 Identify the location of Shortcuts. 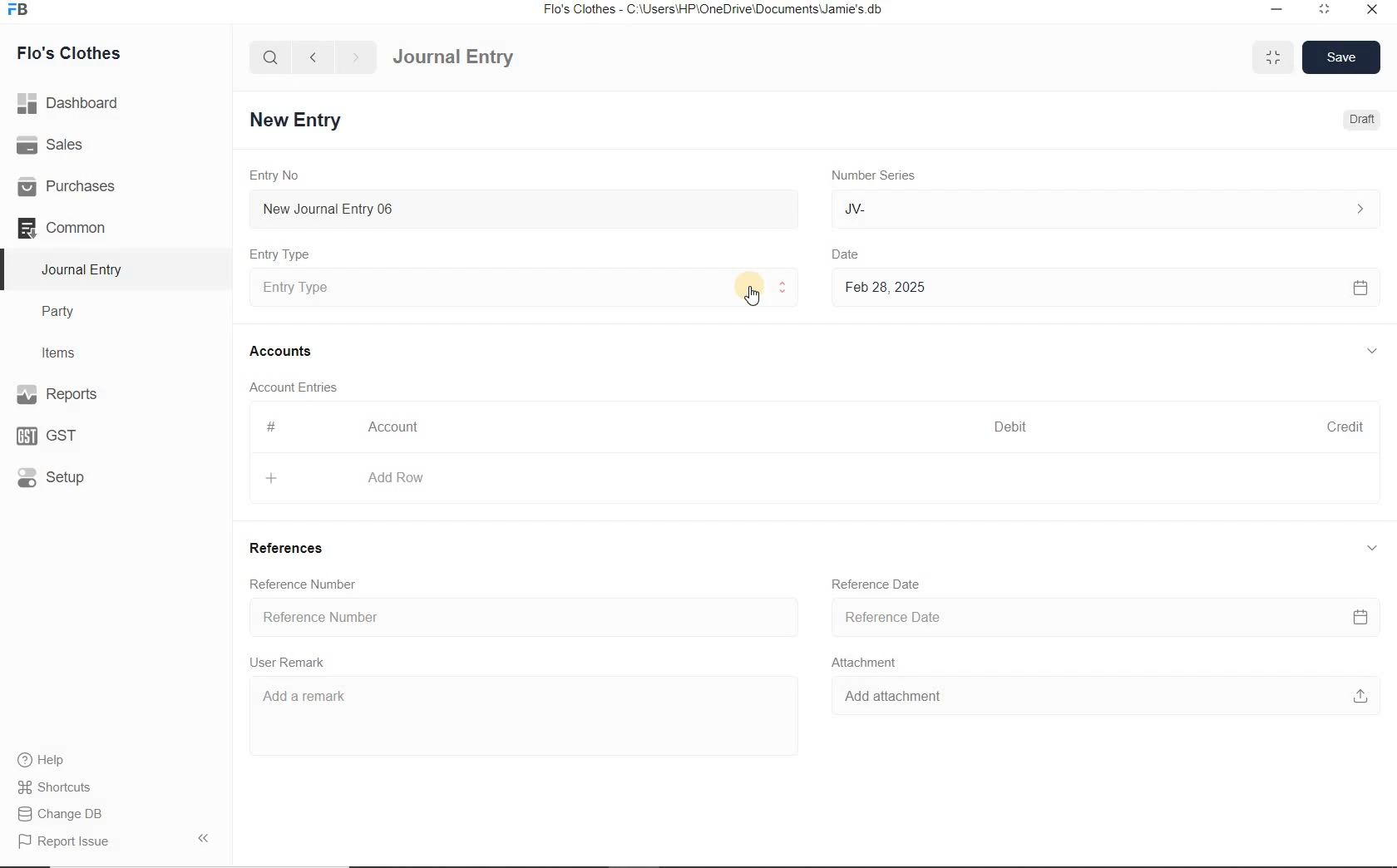
(55, 784).